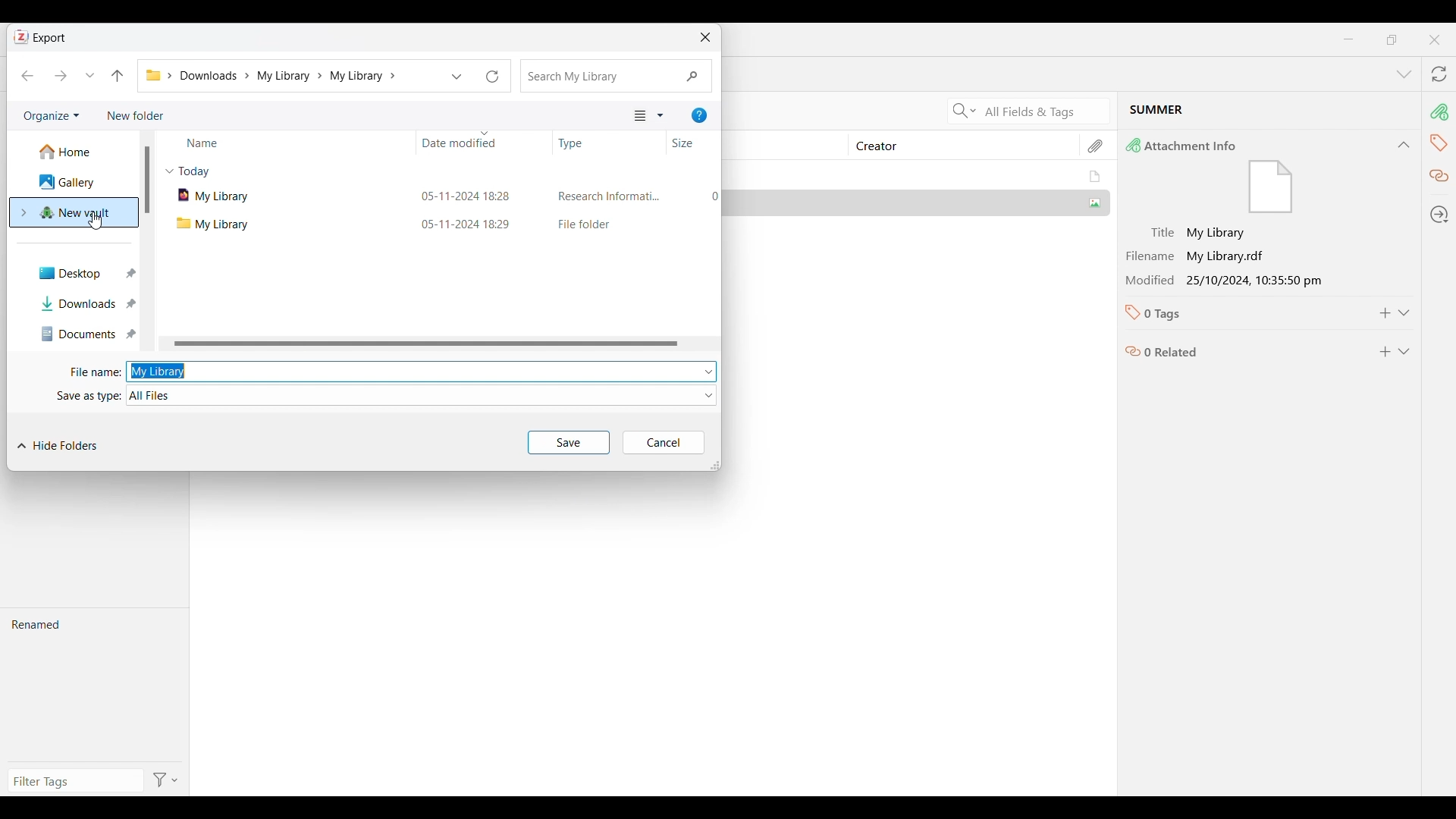  Describe the element at coordinates (1385, 313) in the screenshot. I see `Add` at that location.